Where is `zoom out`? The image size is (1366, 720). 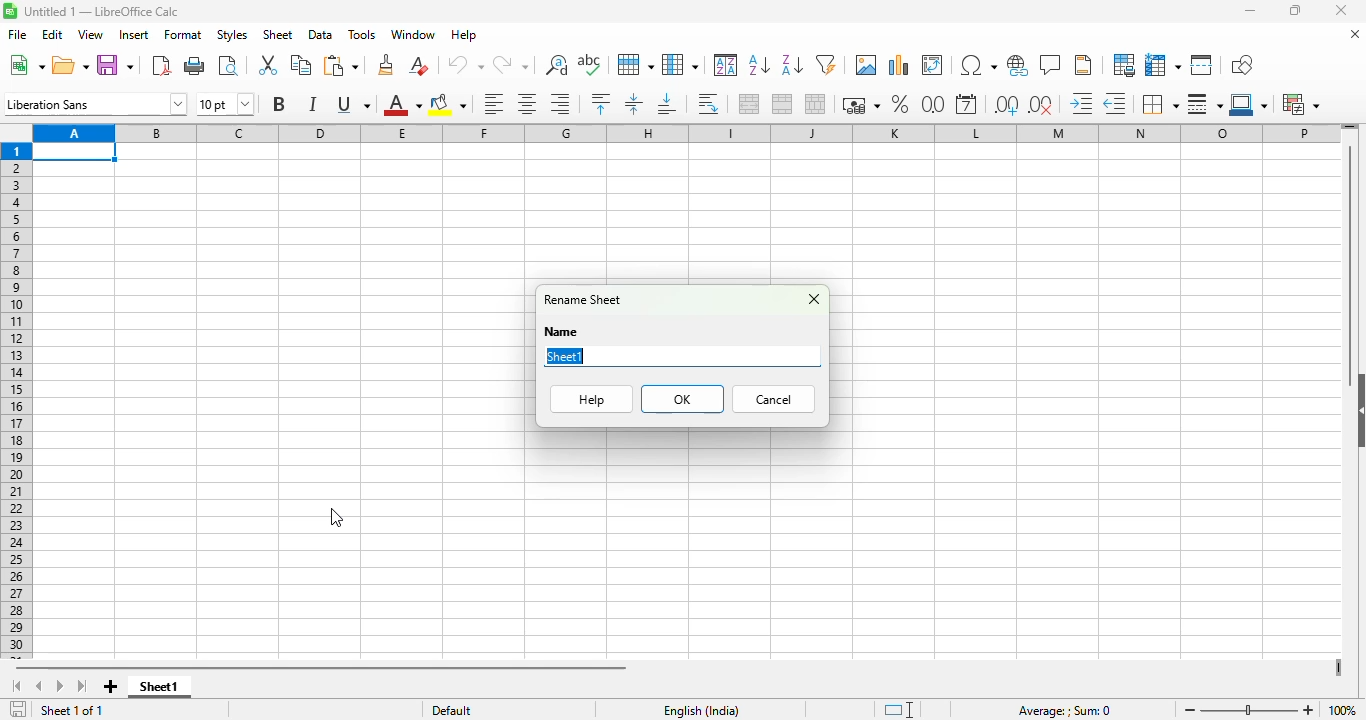 zoom out is located at coordinates (1190, 710).